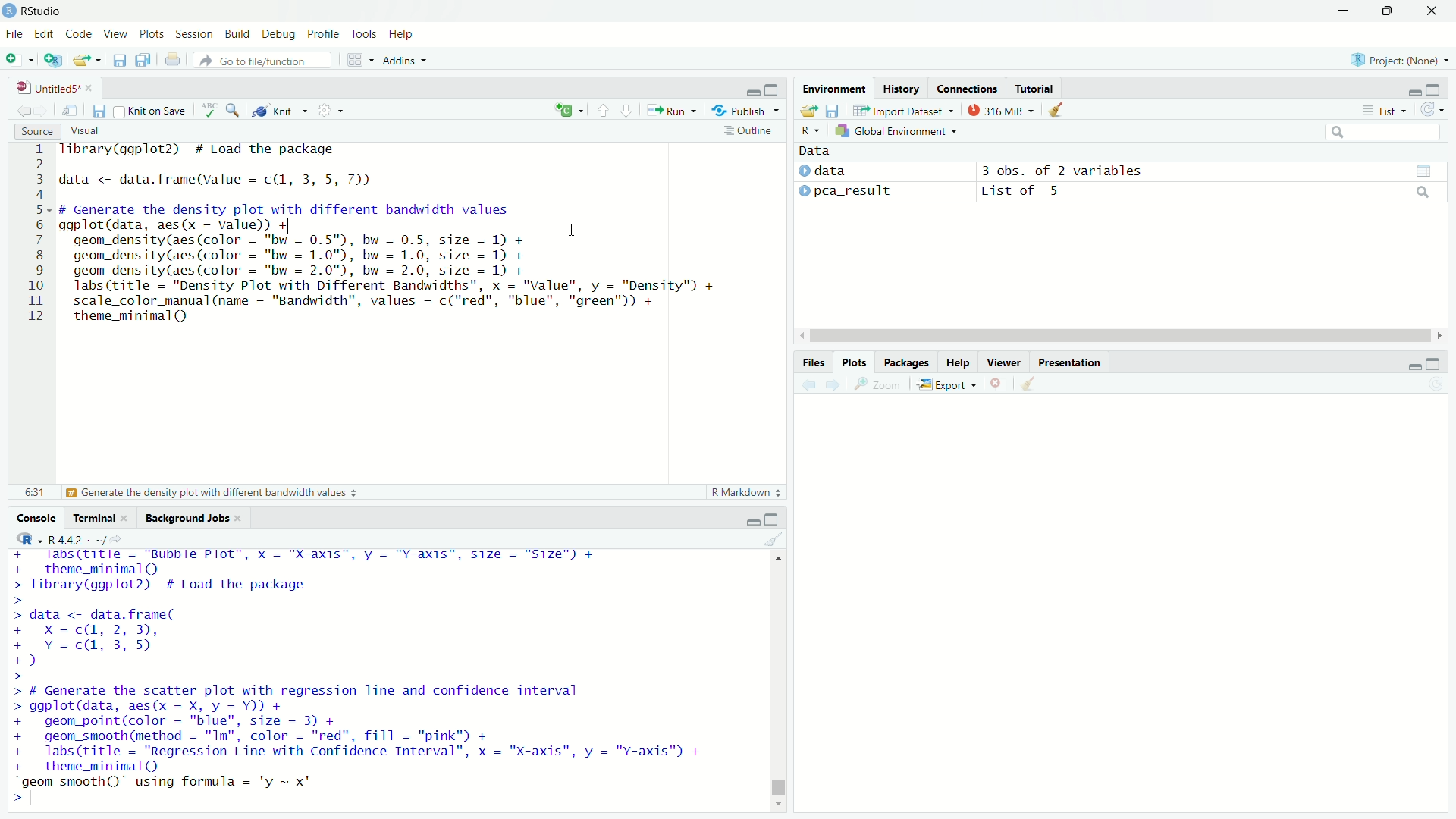 The width and height of the screenshot is (1456, 819). Describe the element at coordinates (124, 518) in the screenshot. I see `close` at that location.